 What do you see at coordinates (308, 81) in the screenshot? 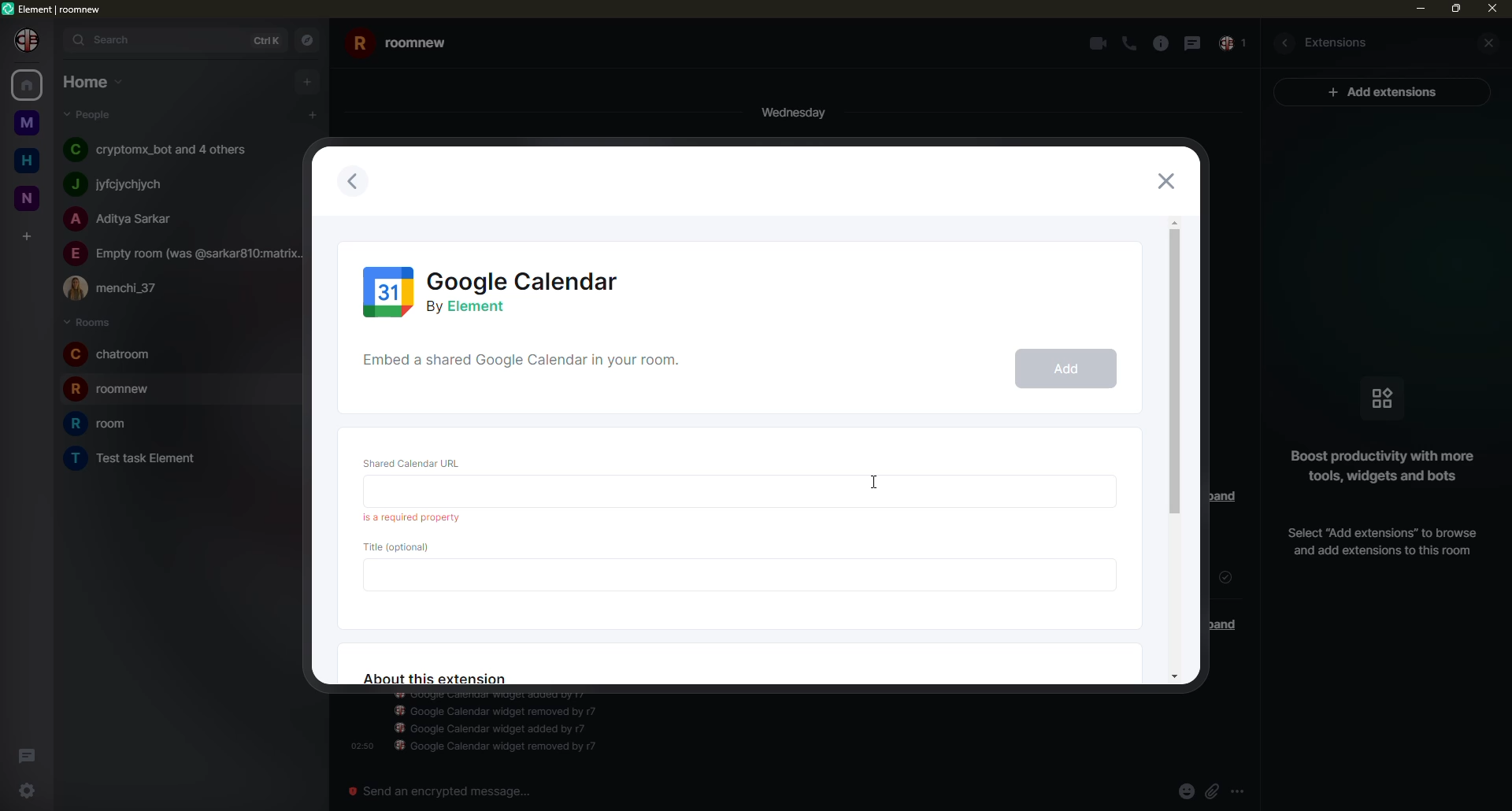
I see `add` at bounding box center [308, 81].